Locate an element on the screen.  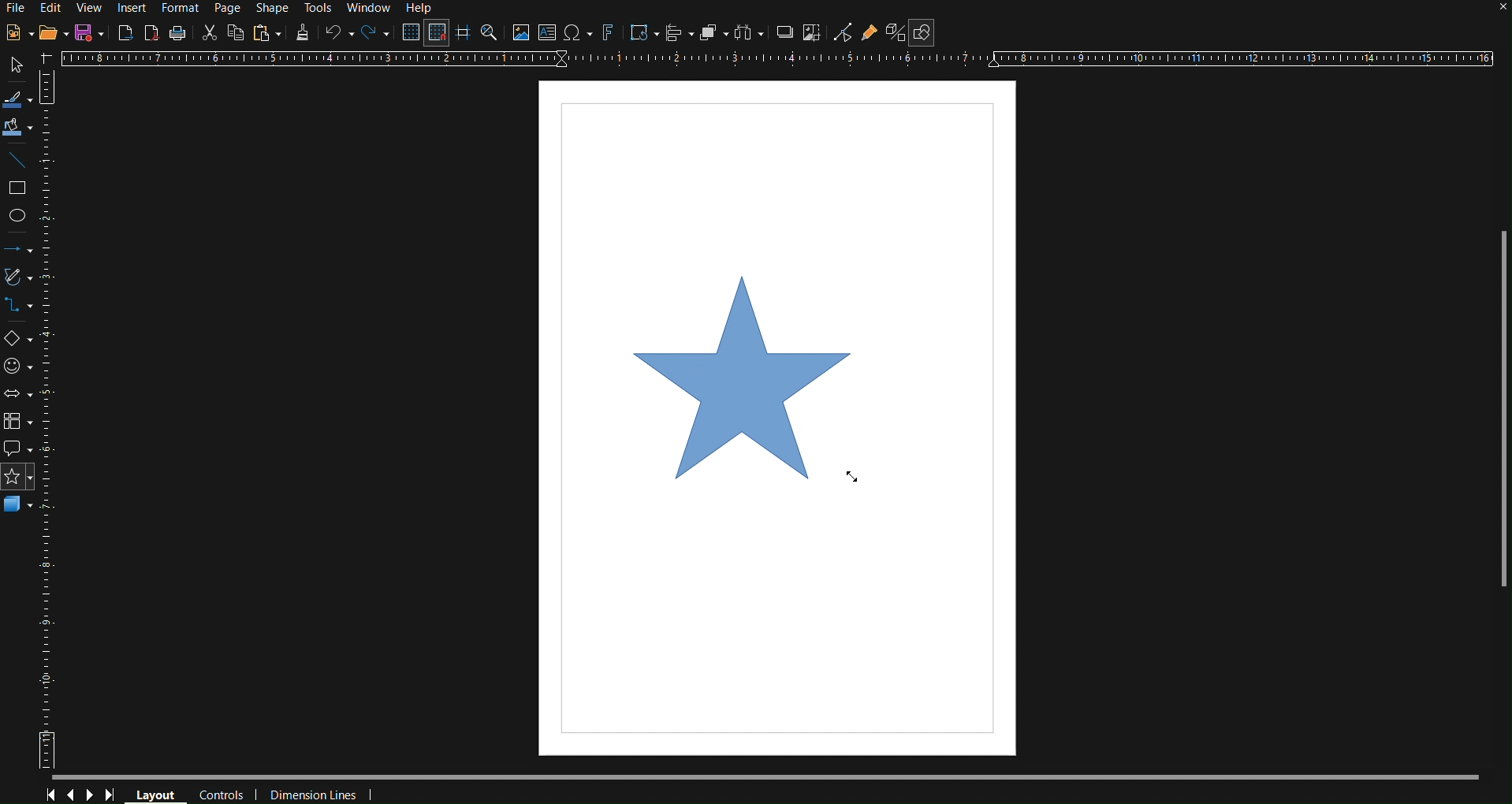
Undo is located at coordinates (337, 34).